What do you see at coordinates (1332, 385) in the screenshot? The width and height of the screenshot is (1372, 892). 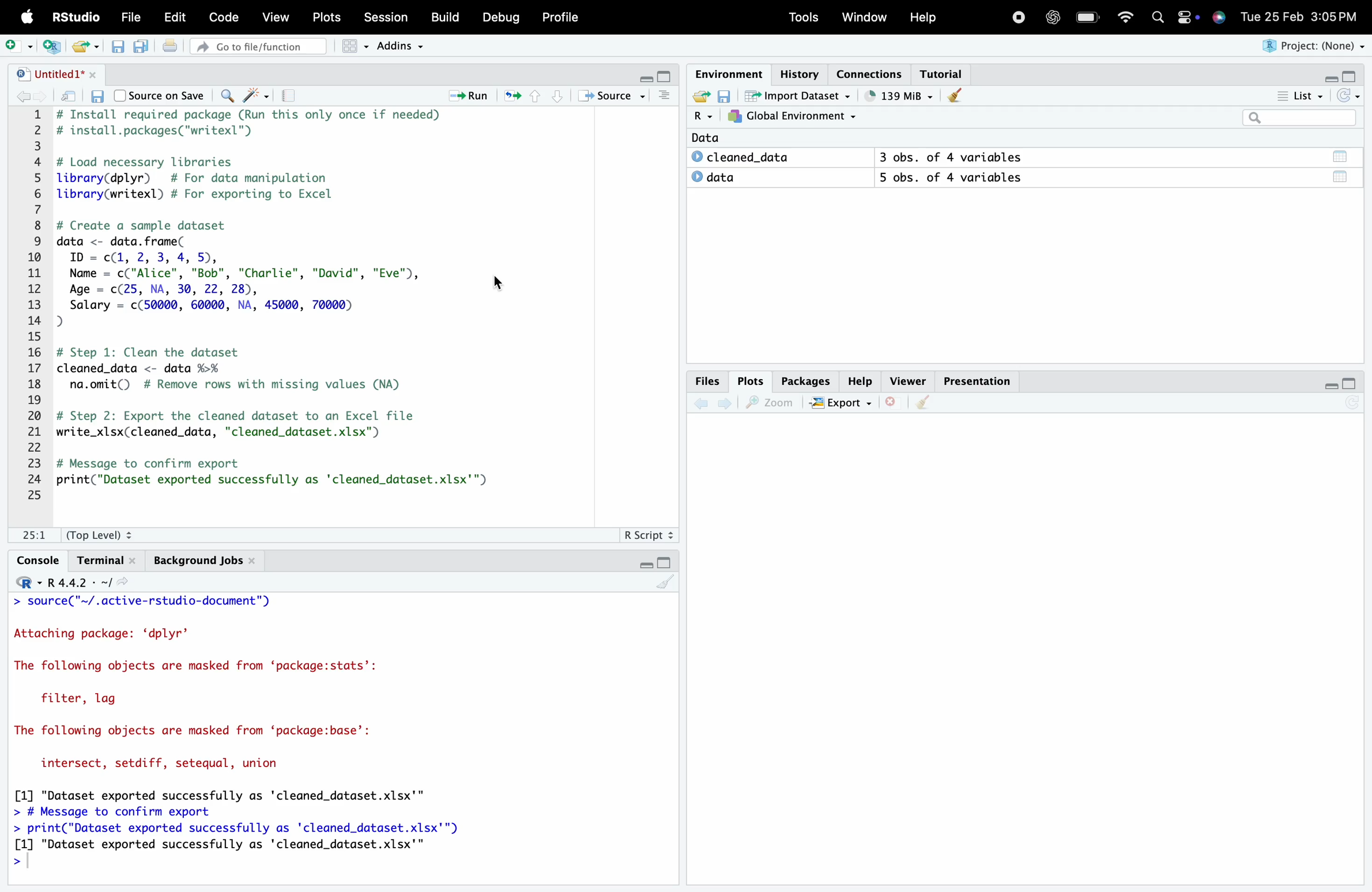 I see `Minimize` at bounding box center [1332, 385].